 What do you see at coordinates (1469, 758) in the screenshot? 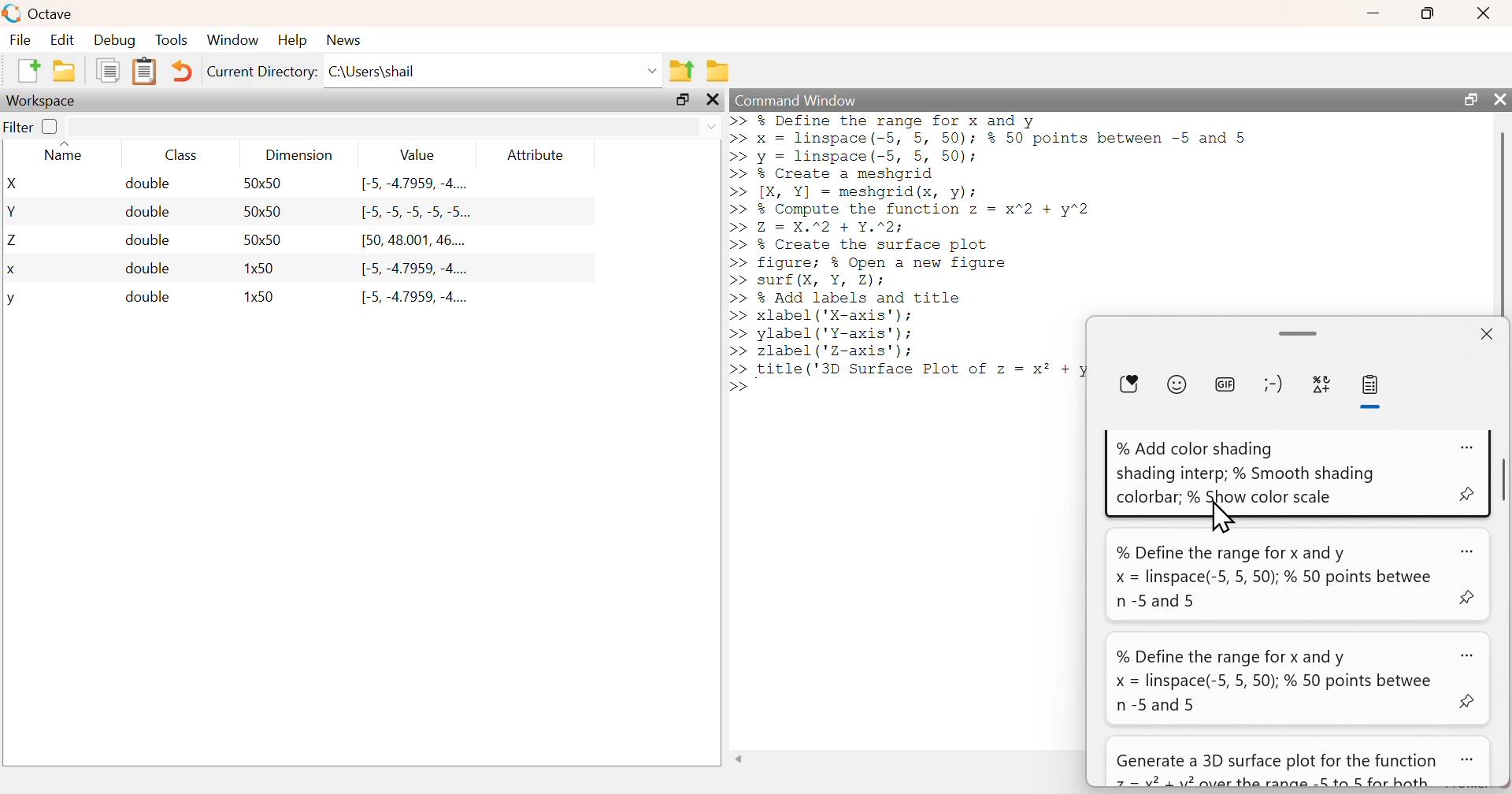
I see `more options` at bounding box center [1469, 758].